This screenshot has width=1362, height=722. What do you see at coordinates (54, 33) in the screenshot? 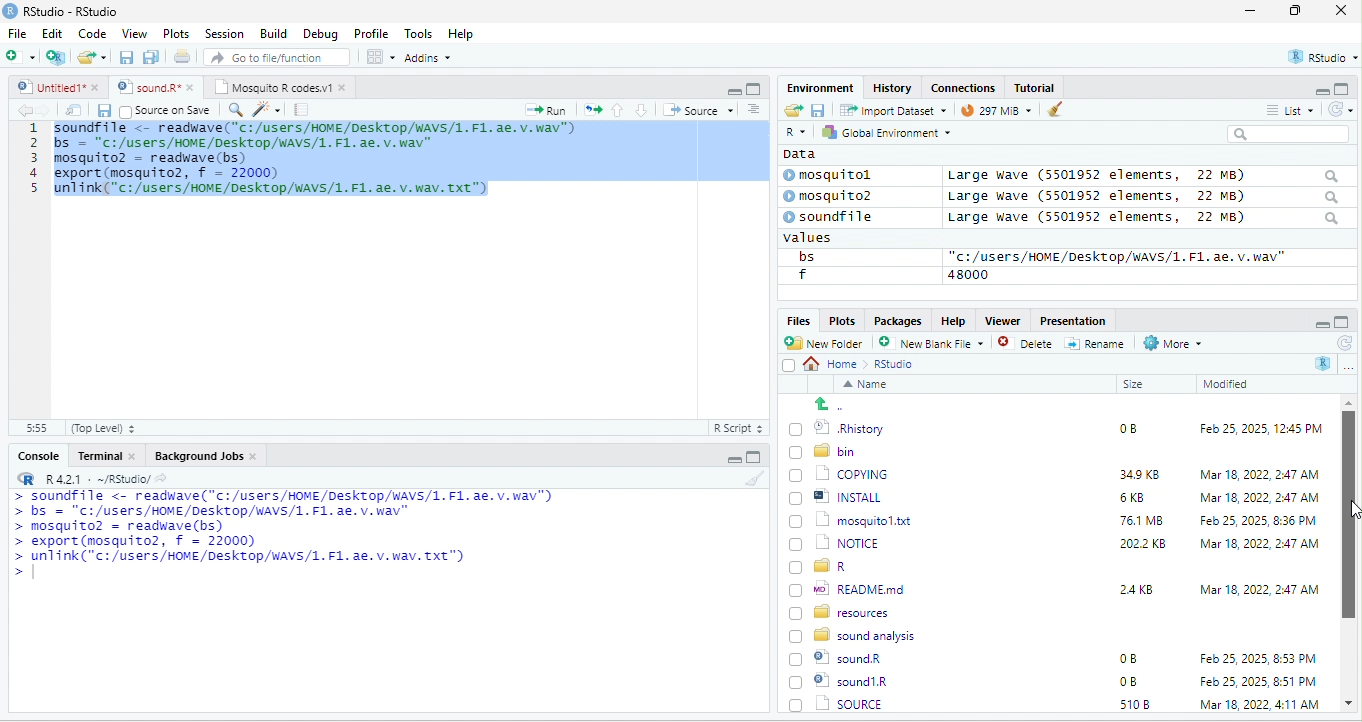
I see `Edit` at bounding box center [54, 33].